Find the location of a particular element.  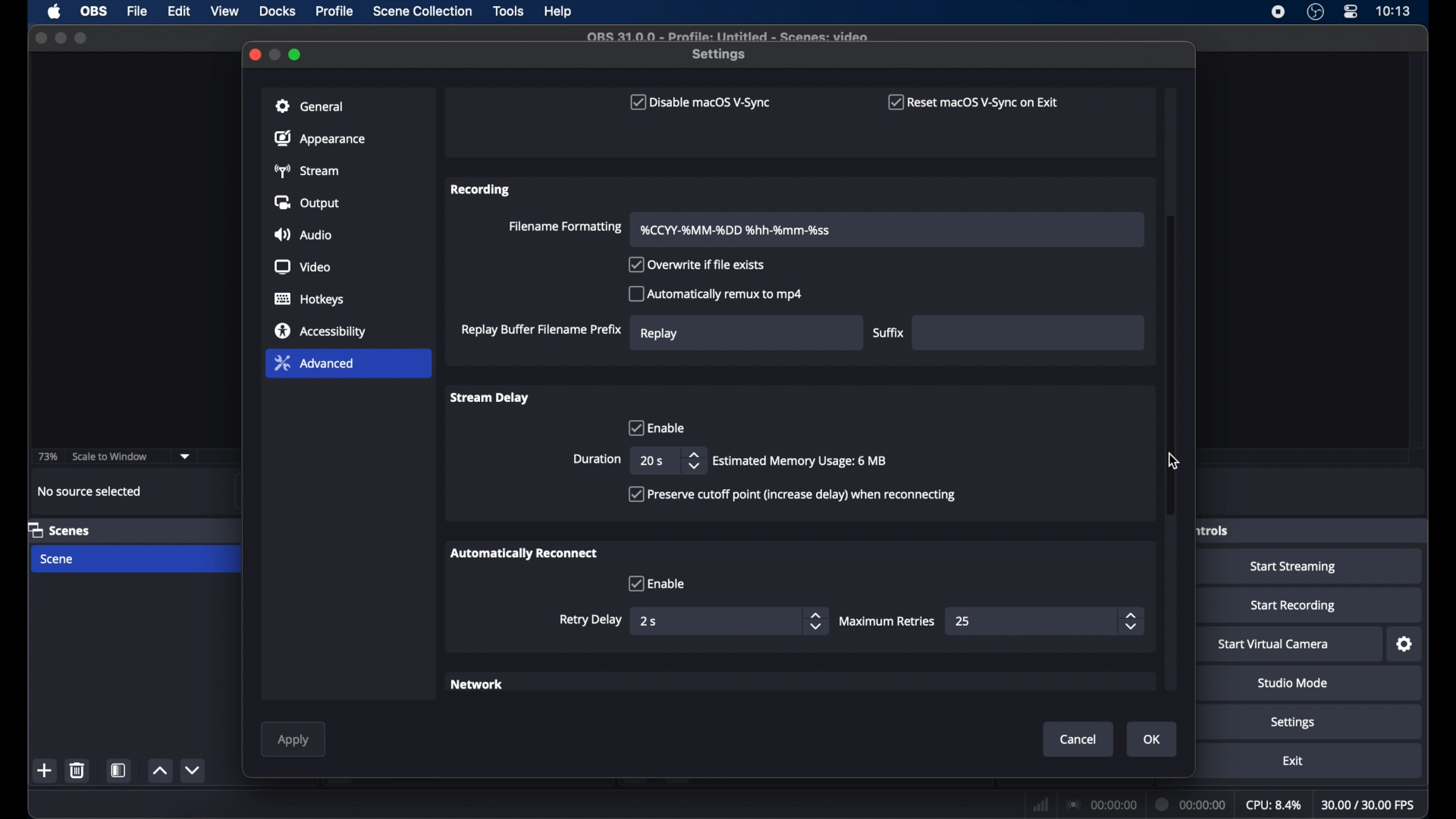

scene is located at coordinates (58, 560).